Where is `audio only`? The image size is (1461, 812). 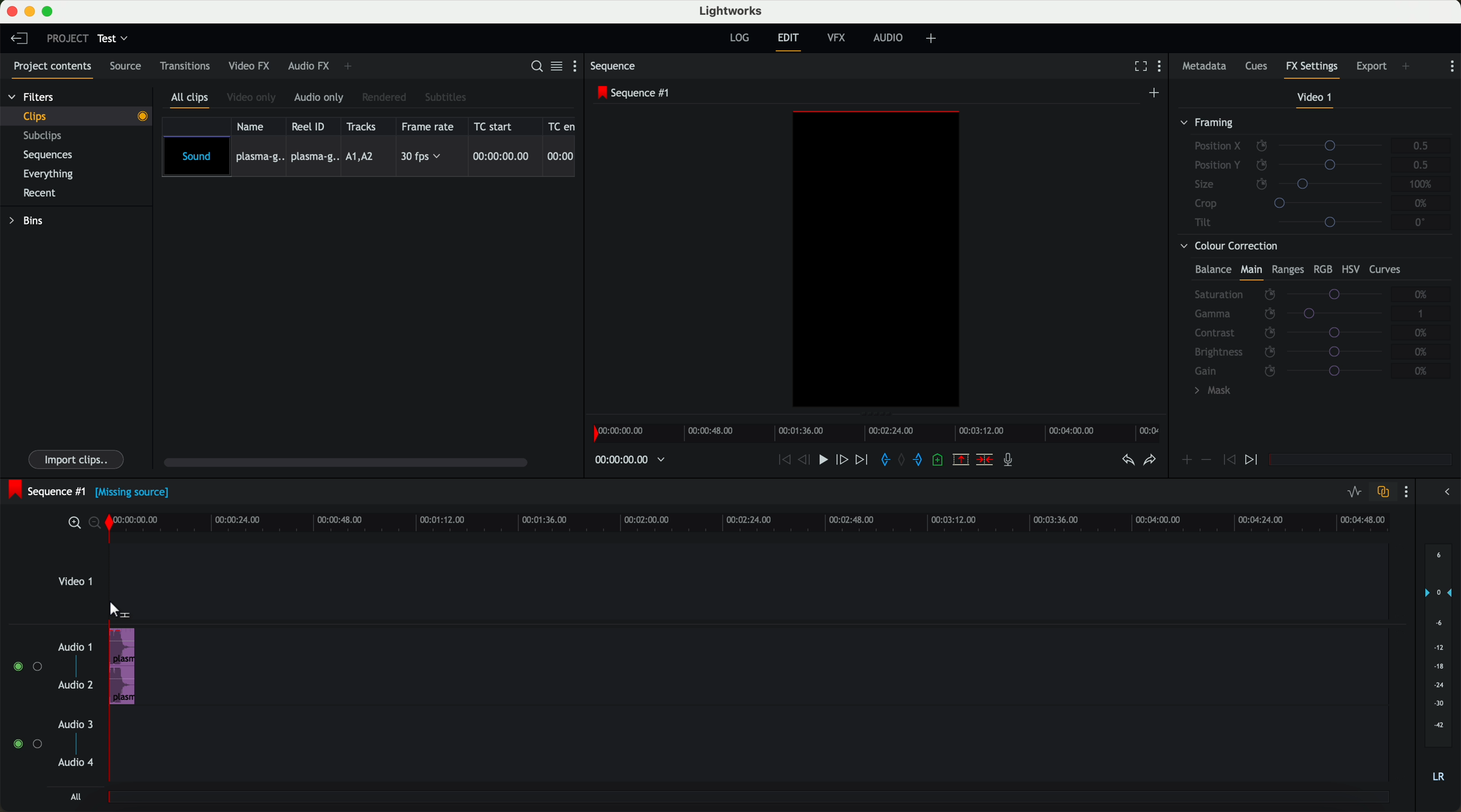
audio only is located at coordinates (320, 98).